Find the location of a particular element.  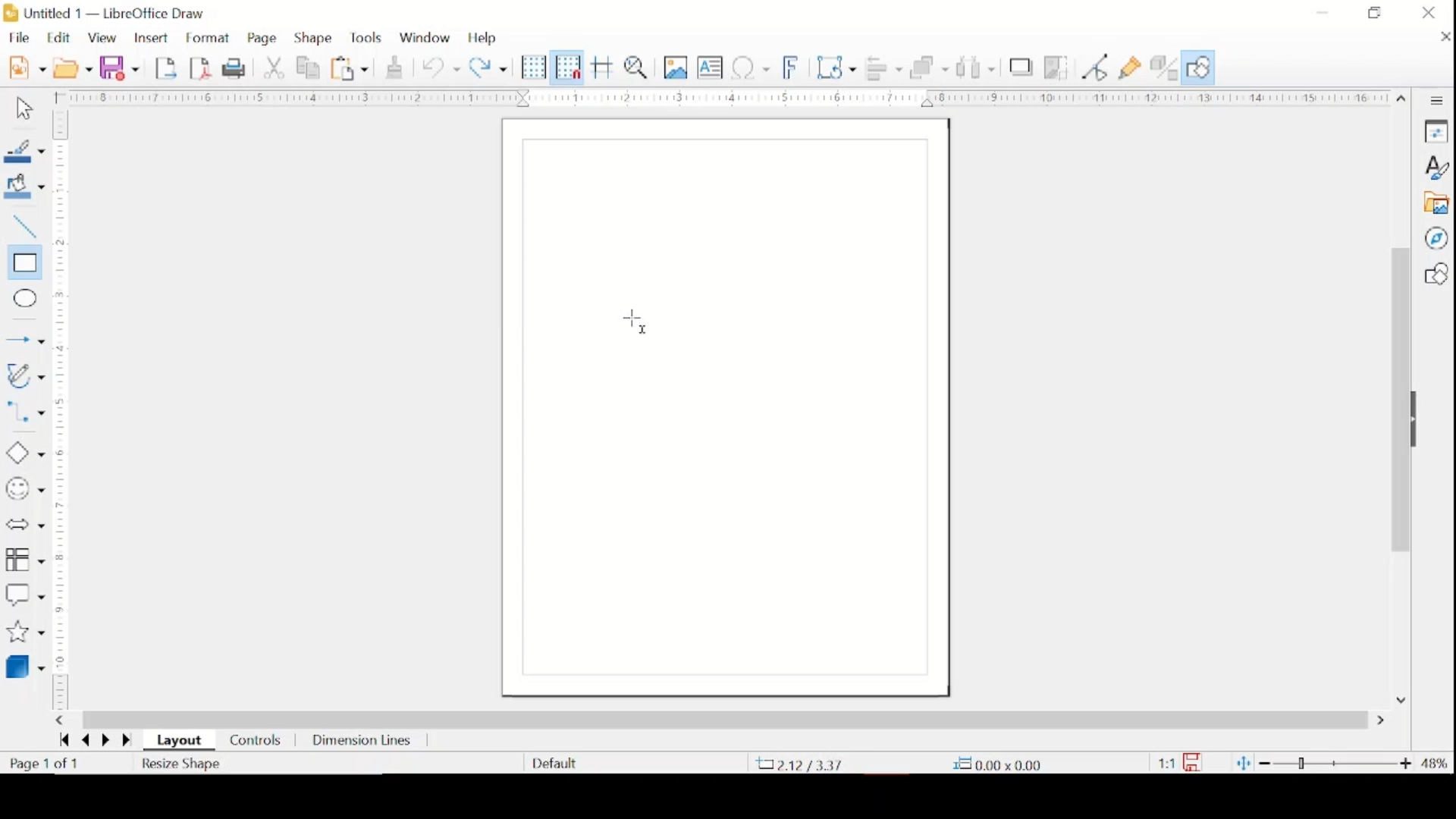

show draw functions is located at coordinates (1131, 68).